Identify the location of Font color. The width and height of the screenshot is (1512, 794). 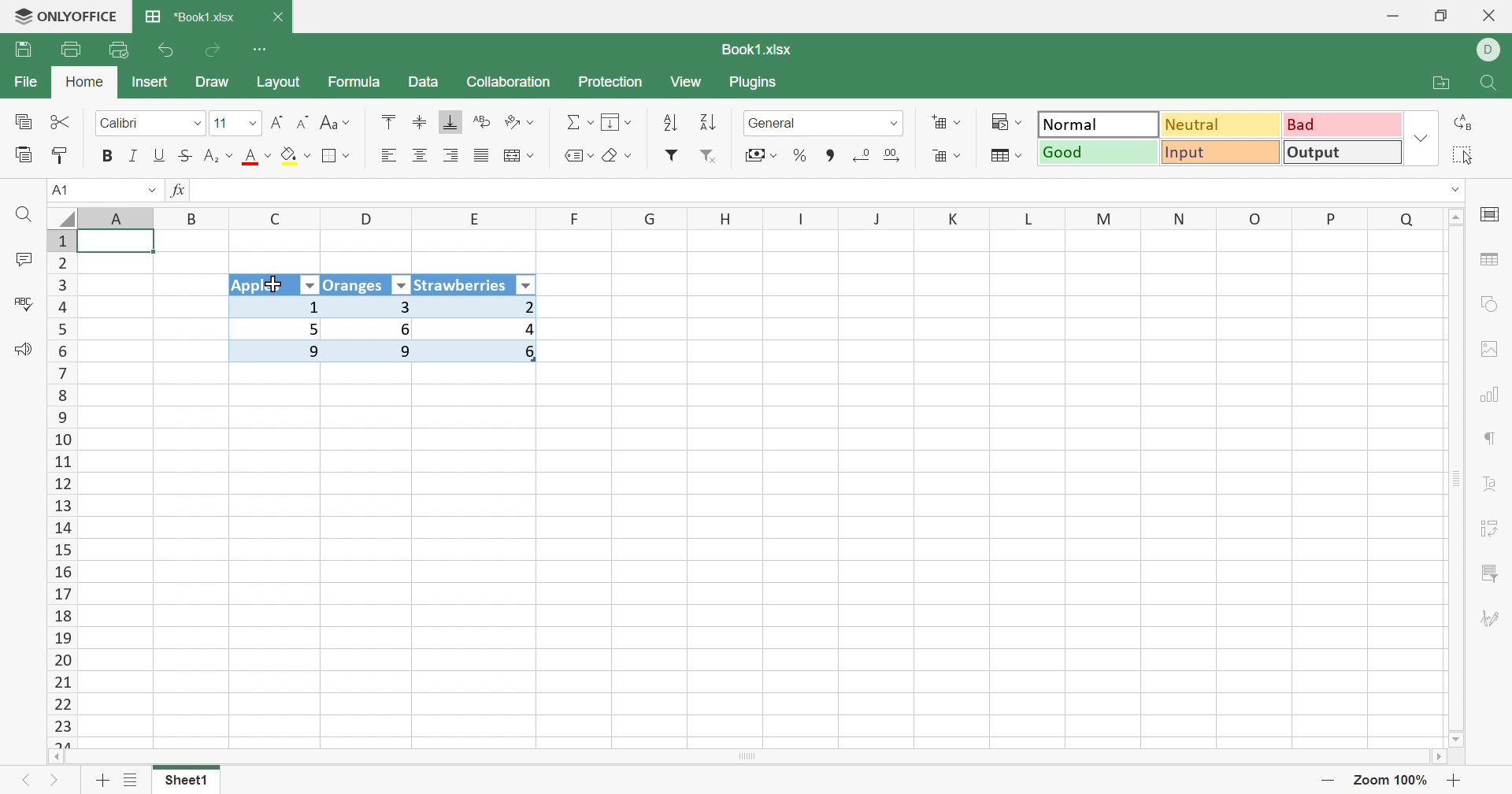
(259, 158).